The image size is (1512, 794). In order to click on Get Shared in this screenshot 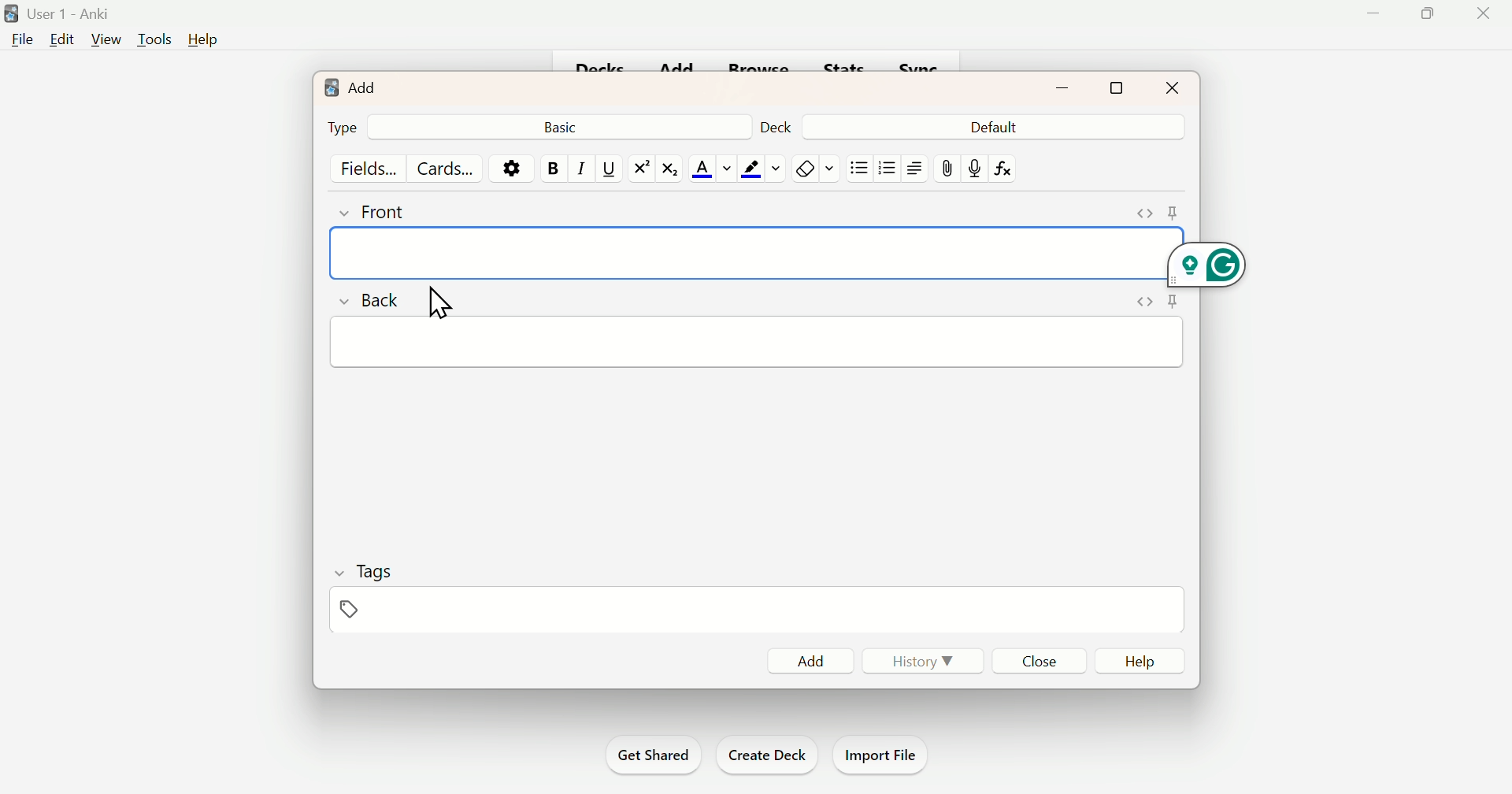, I will do `click(651, 752)`.